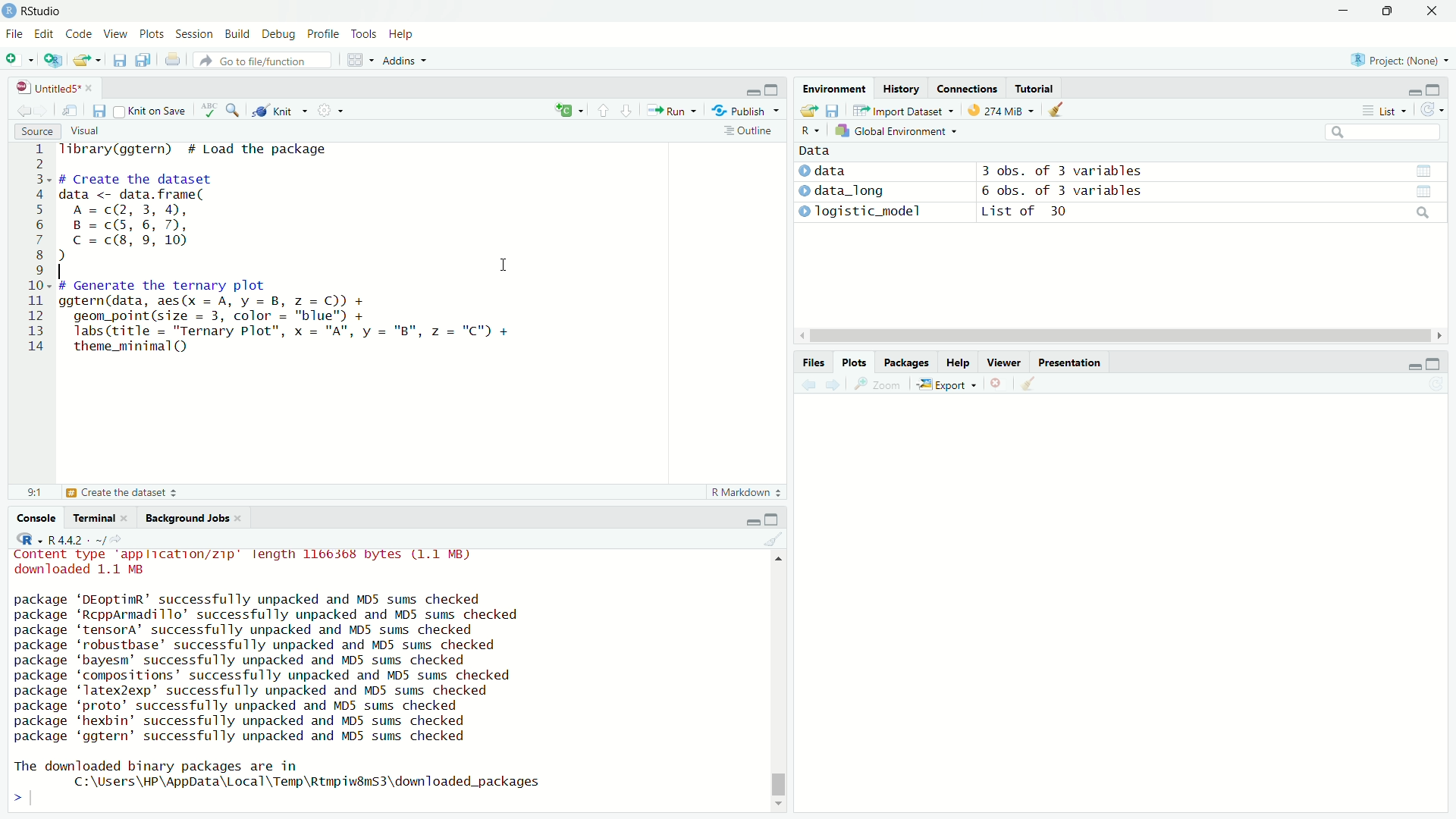  Describe the element at coordinates (1432, 13) in the screenshot. I see `close` at that location.